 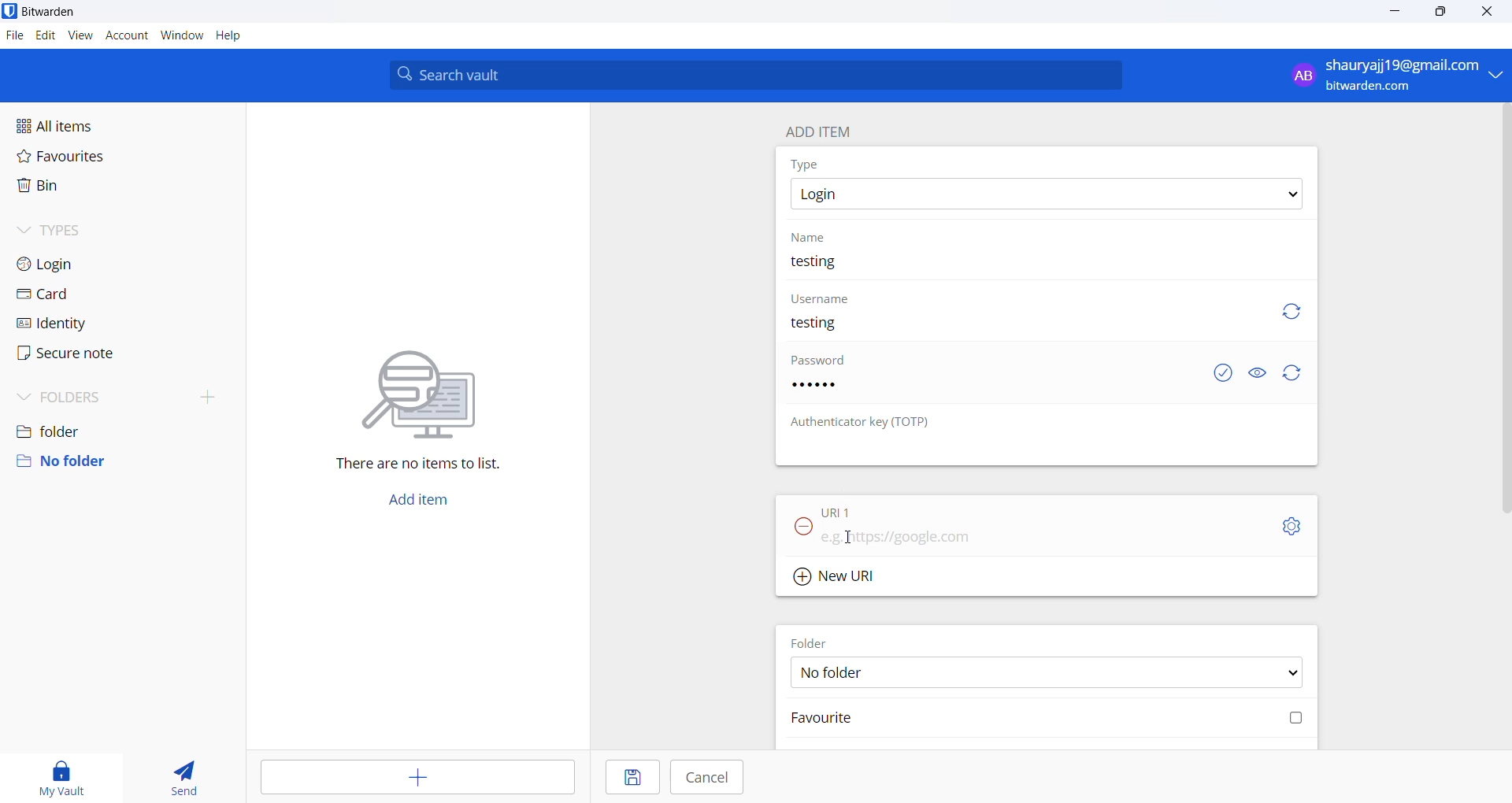 I want to click on save, so click(x=631, y=776).